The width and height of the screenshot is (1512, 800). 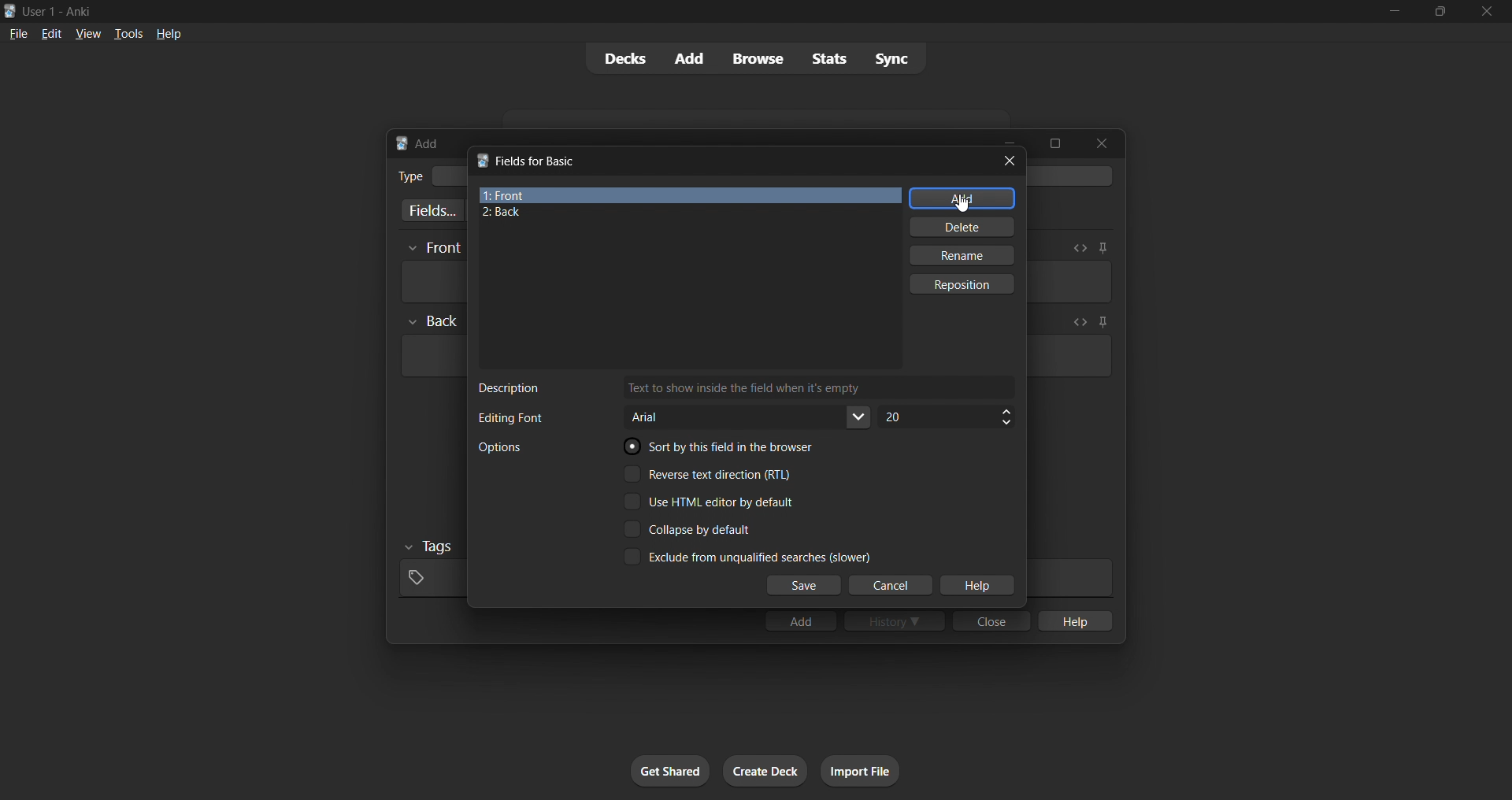 What do you see at coordinates (88, 33) in the screenshot?
I see `view` at bounding box center [88, 33].